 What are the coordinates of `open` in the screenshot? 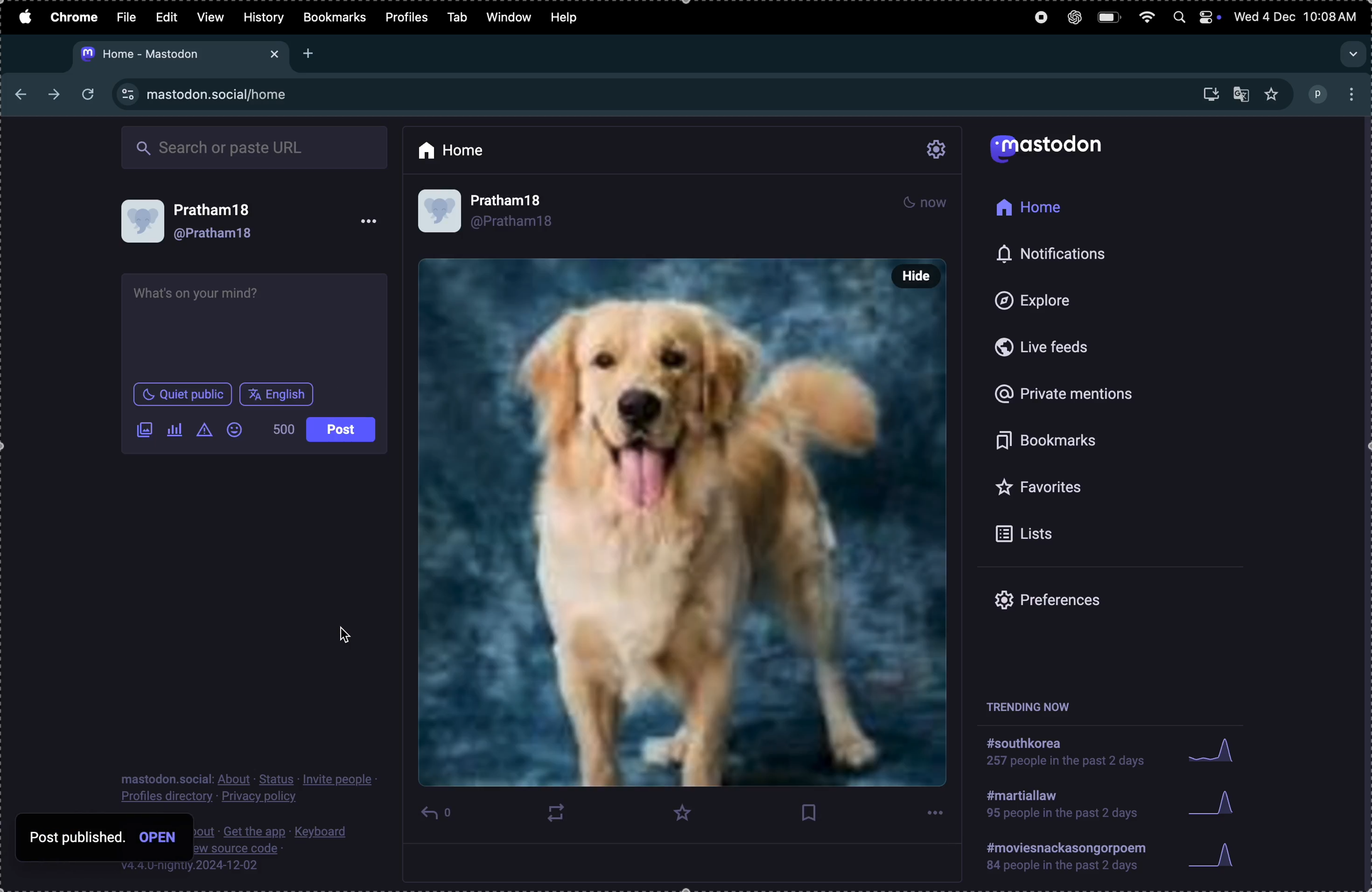 It's located at (163, 837).